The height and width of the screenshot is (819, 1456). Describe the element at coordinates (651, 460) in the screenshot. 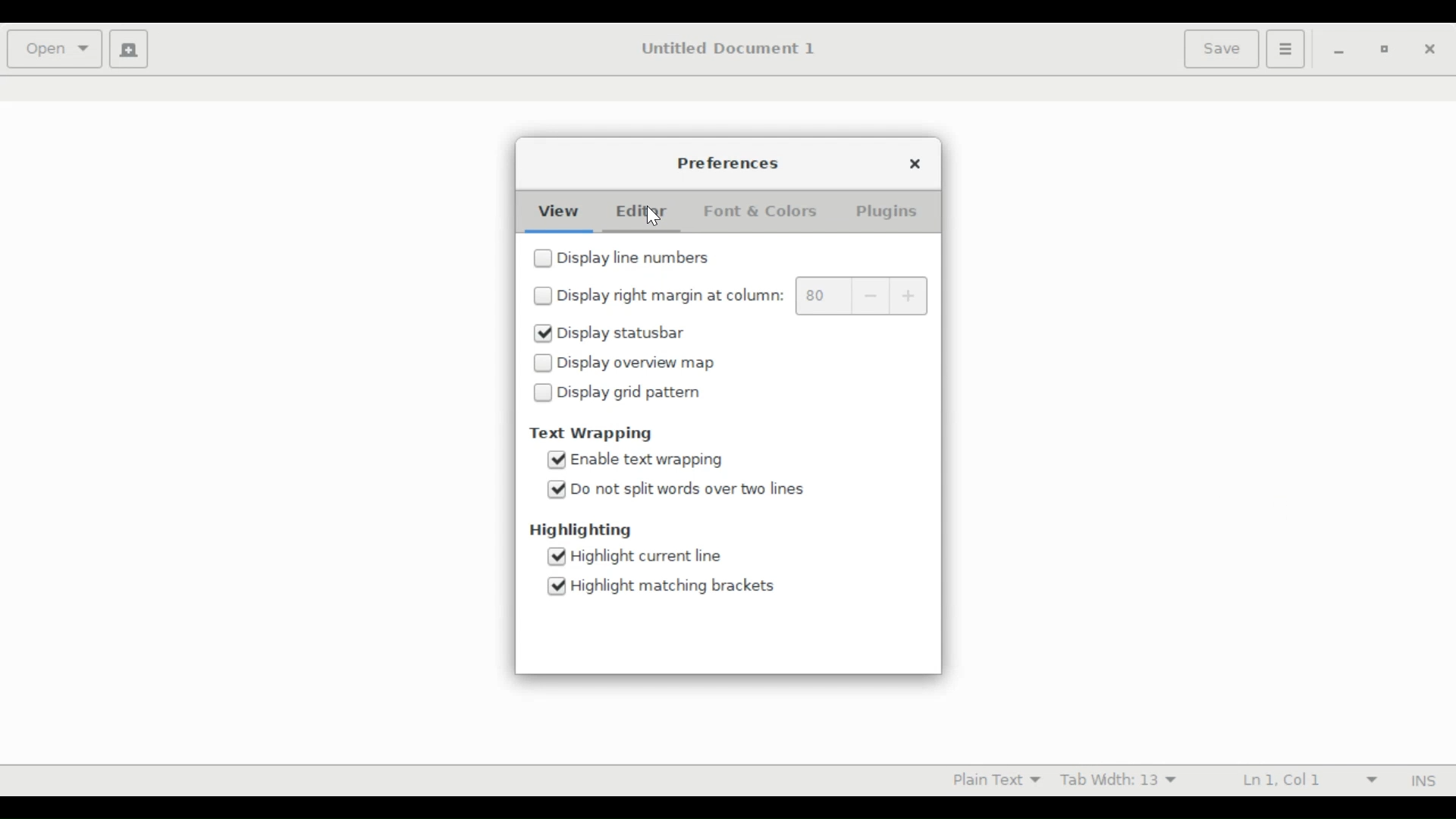

I see `(un)check Enable text wrapping` at that location.